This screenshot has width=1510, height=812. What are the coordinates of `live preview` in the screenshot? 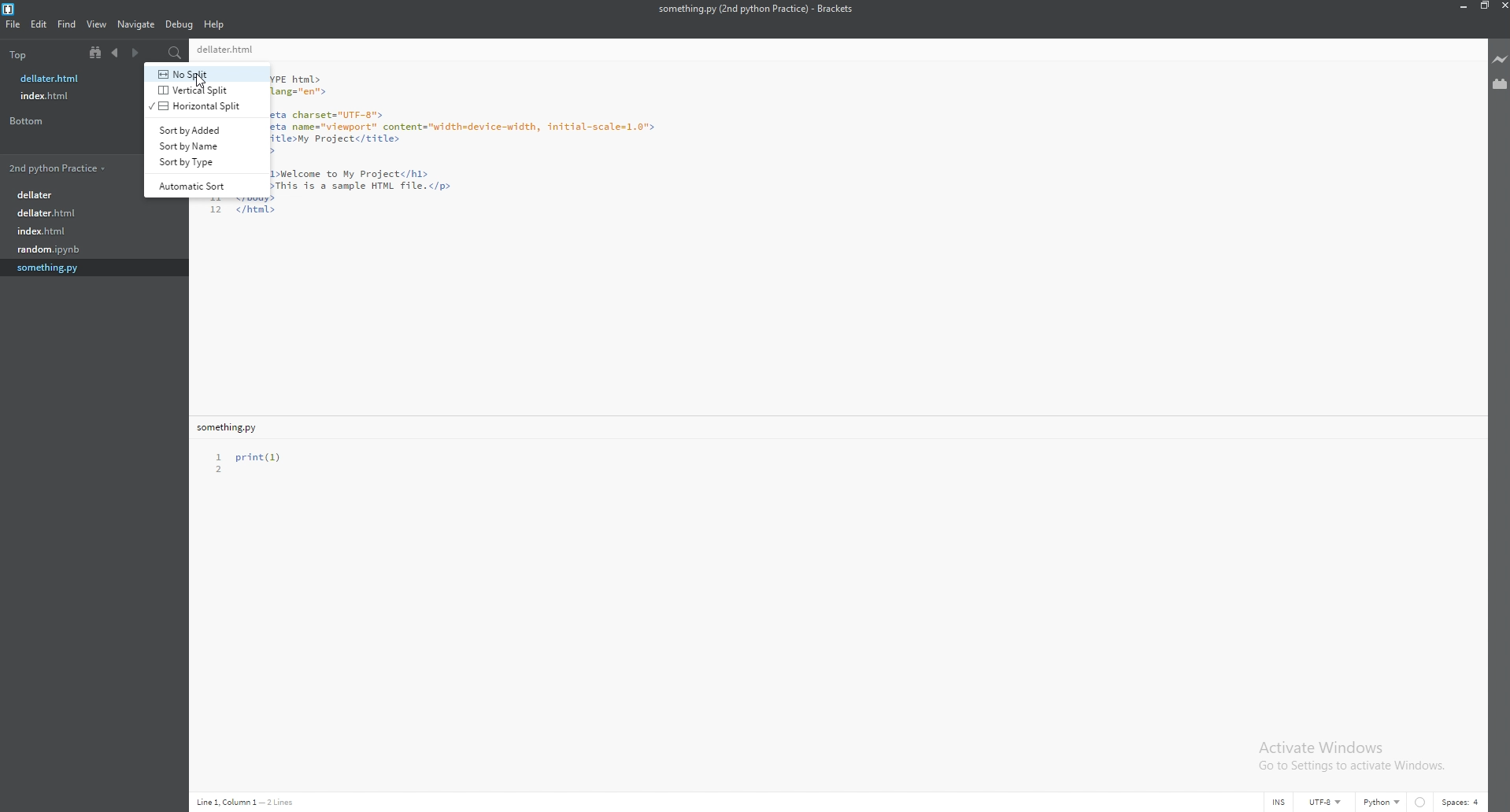 It's located at (1500, 59).